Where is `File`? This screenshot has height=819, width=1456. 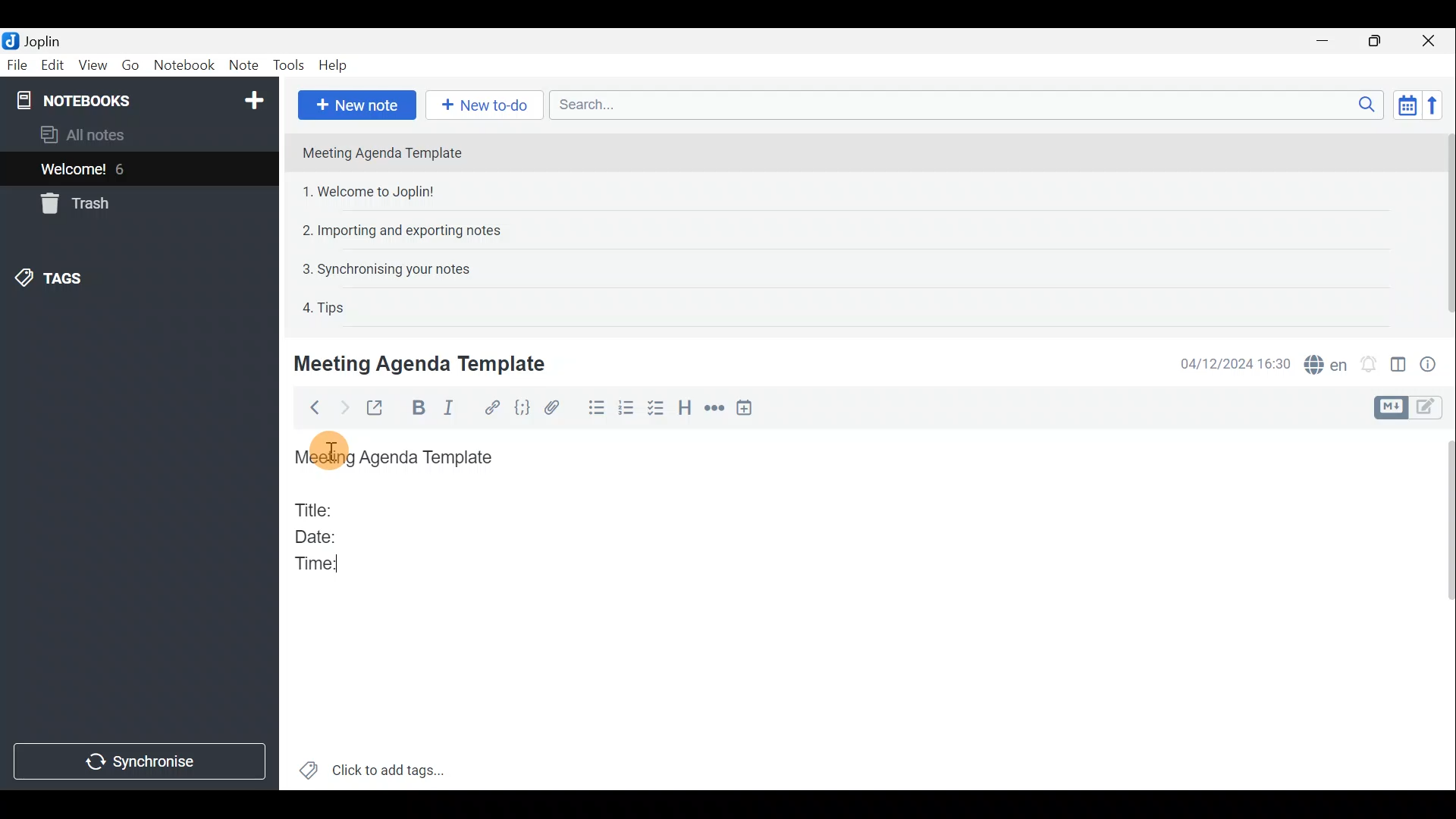 File is located at coordinates (17, 64).